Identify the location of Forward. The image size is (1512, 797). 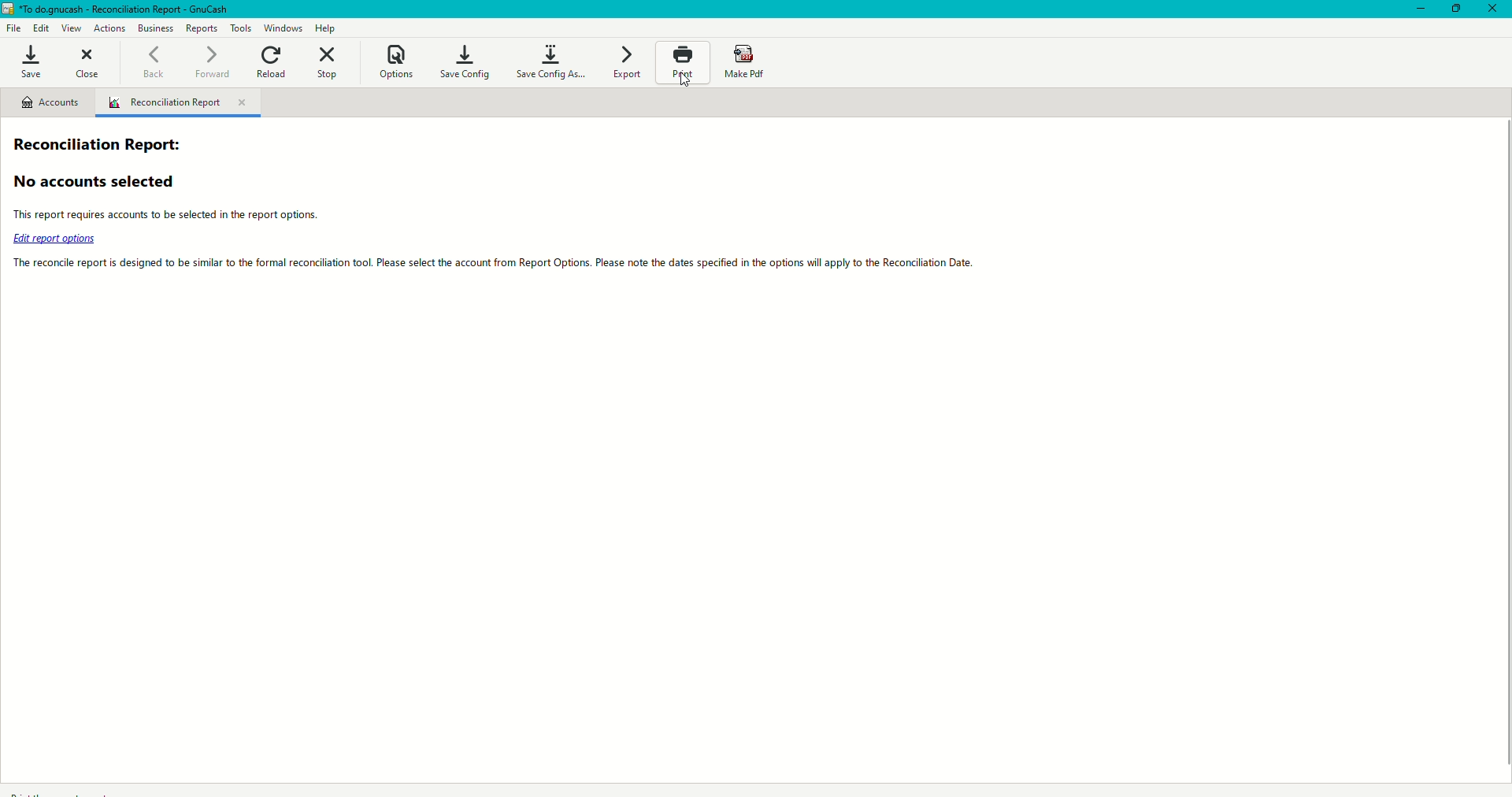
(210, 61).